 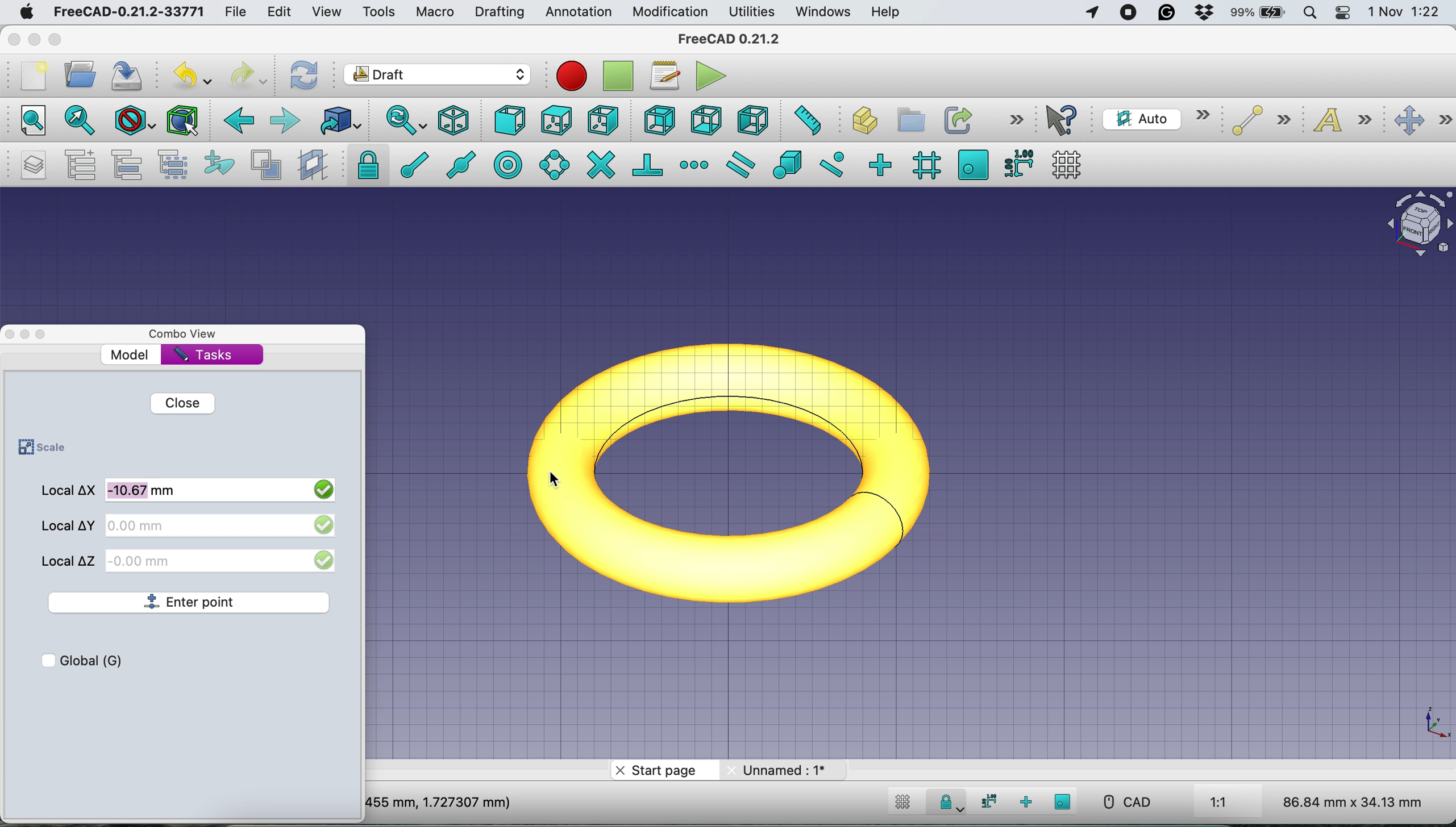 What do you see at coordinates (455, 120) in the screenshot?
I see `isometric` at bounding box center [455, 120].